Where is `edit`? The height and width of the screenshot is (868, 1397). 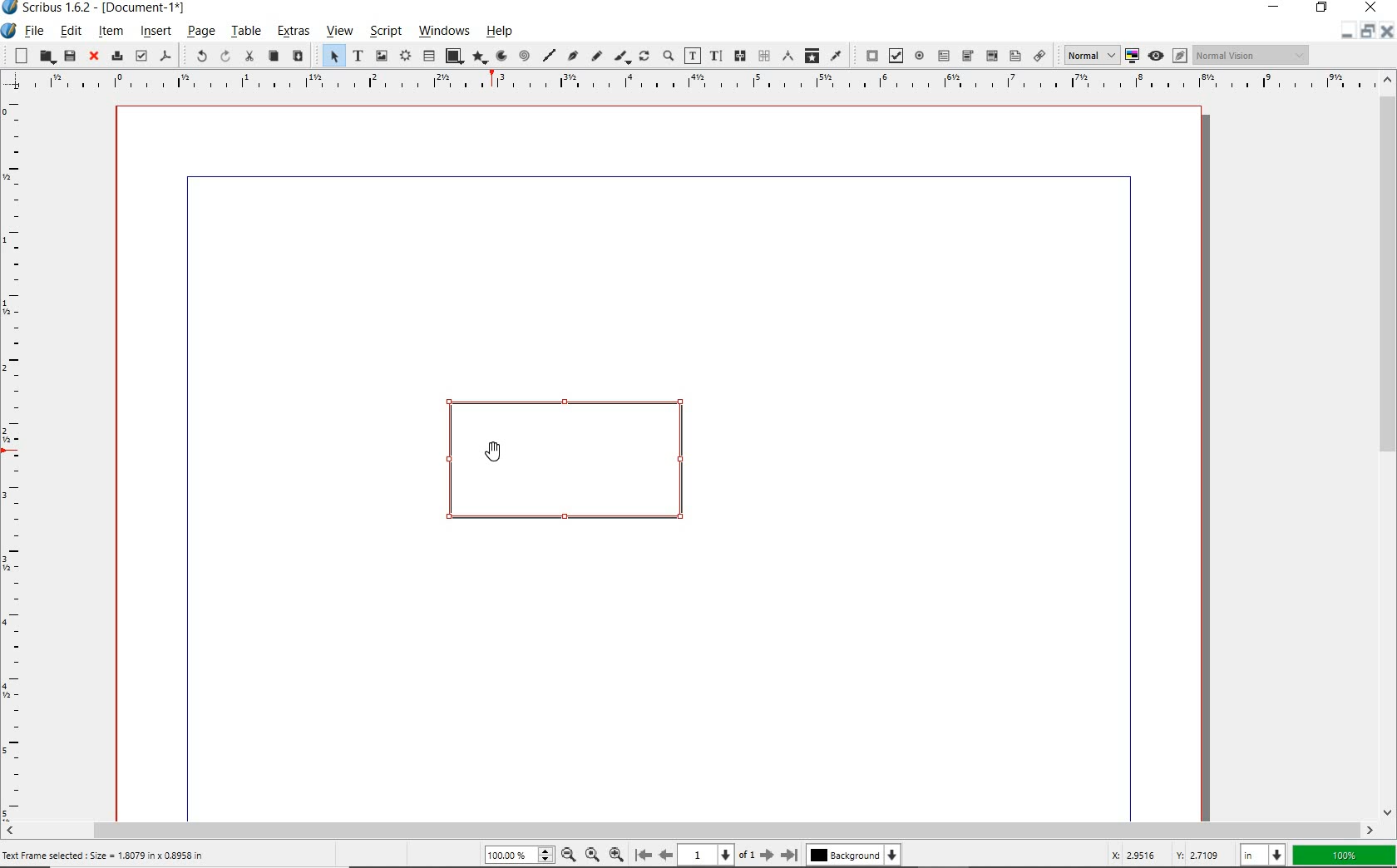 edit is located at coordinates (69, 32).